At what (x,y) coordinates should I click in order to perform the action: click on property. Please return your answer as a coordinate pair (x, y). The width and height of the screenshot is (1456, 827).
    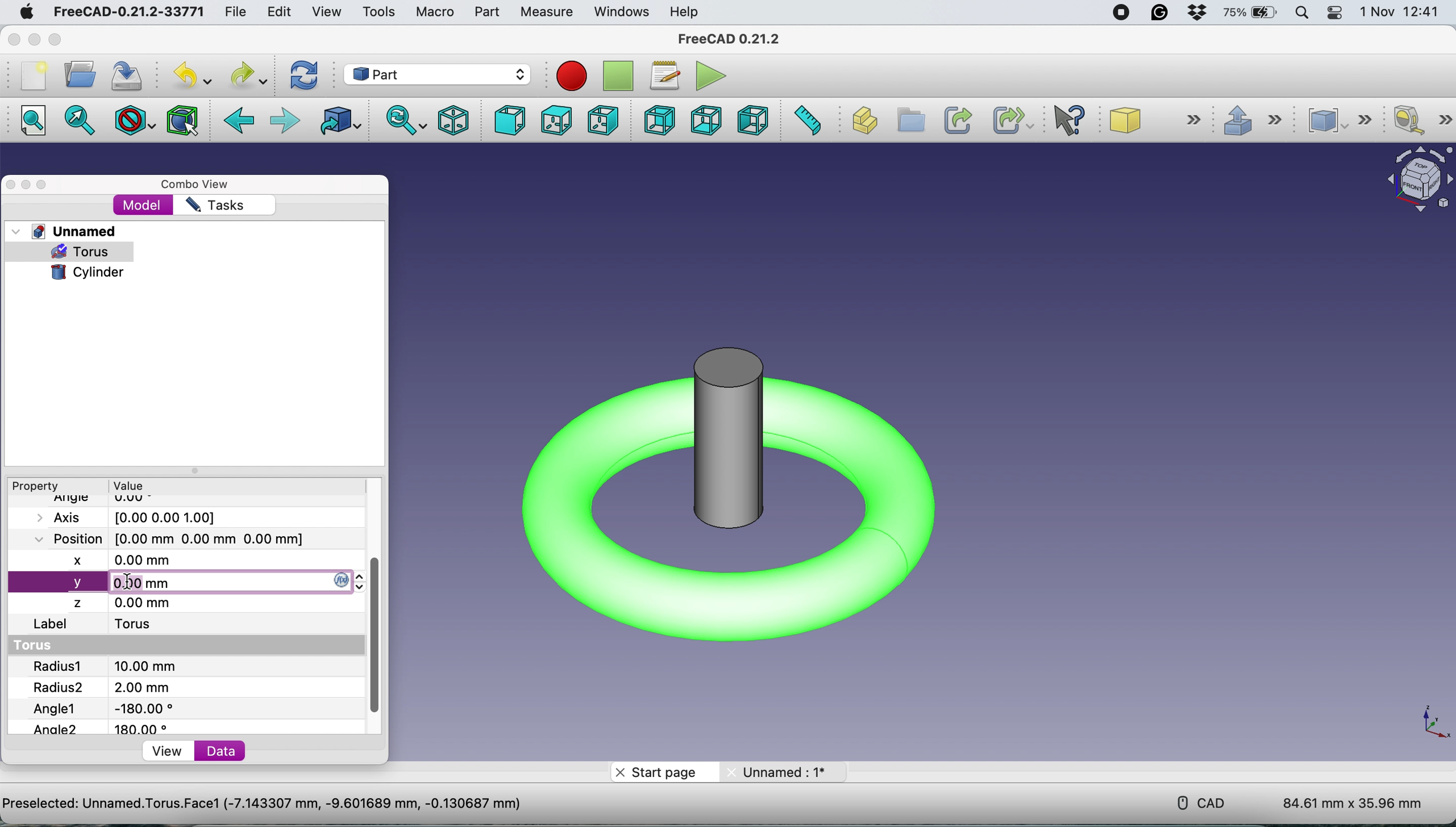
    Looking at the image, I should click on (40, 486).